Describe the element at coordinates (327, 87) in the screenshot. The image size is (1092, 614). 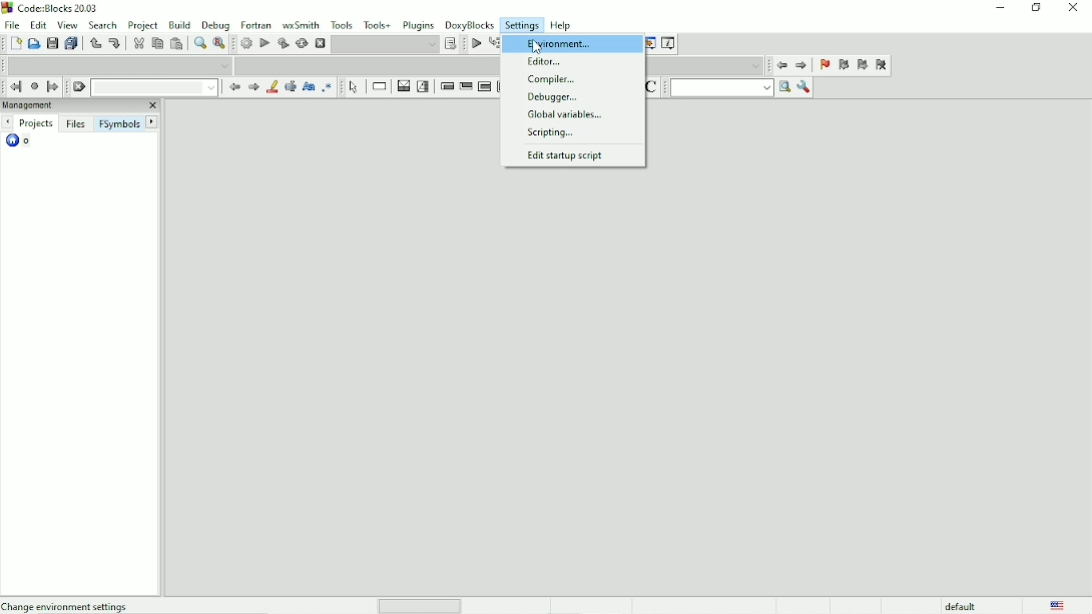
I see `Use regex` at that location.